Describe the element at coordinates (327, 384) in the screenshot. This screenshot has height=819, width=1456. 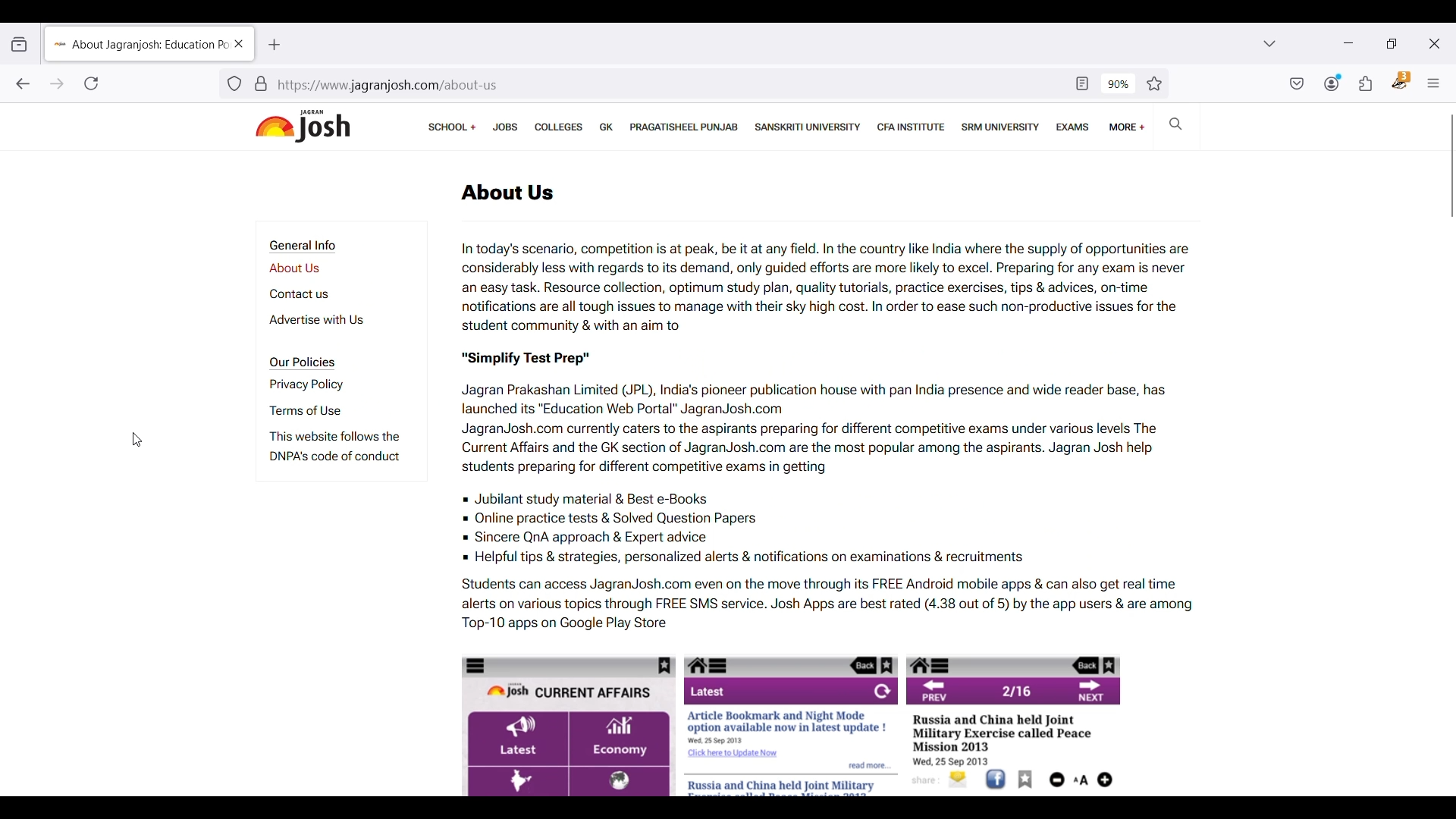
I see `Privacy policy page` at that location.